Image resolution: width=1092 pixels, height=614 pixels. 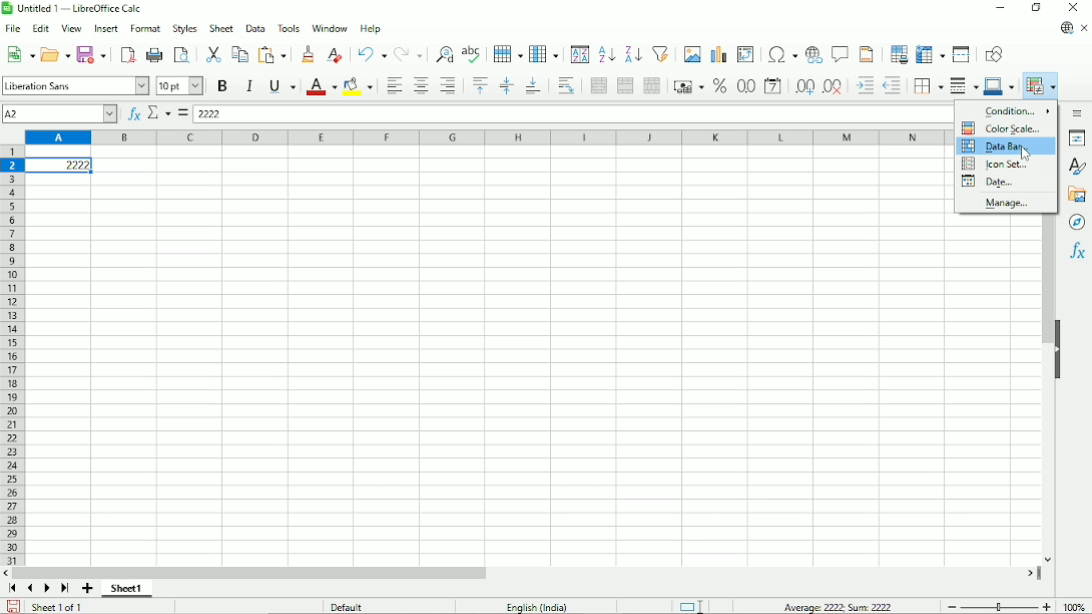 What do you see at coordinates (92, 54) in the screenshot?
I see `Save` at bounding box center [92, 54].